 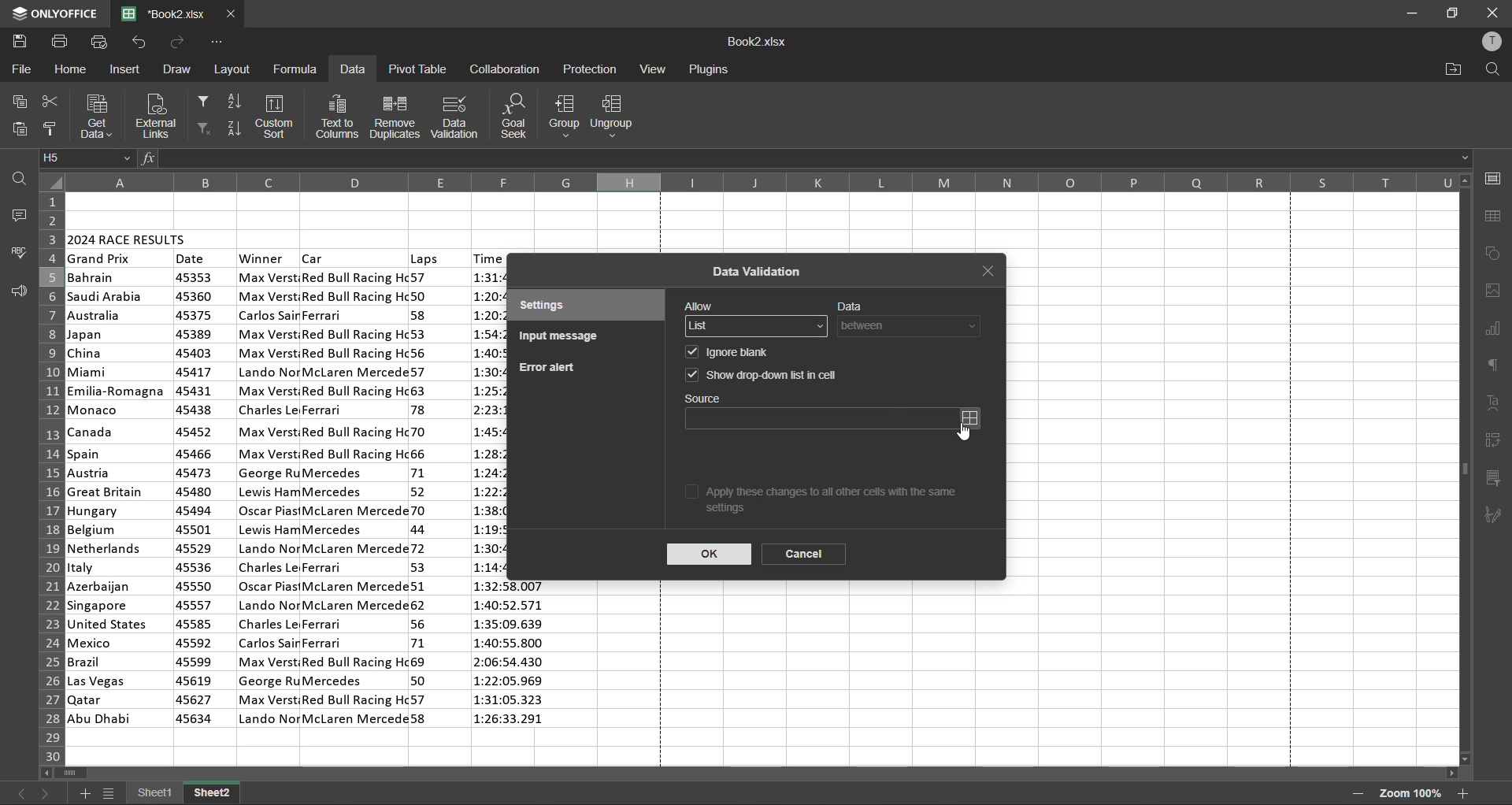 What do you see at coordinates (101, 259) in the screenshot?
I see `grand prix` at bounding box center [101, 259].